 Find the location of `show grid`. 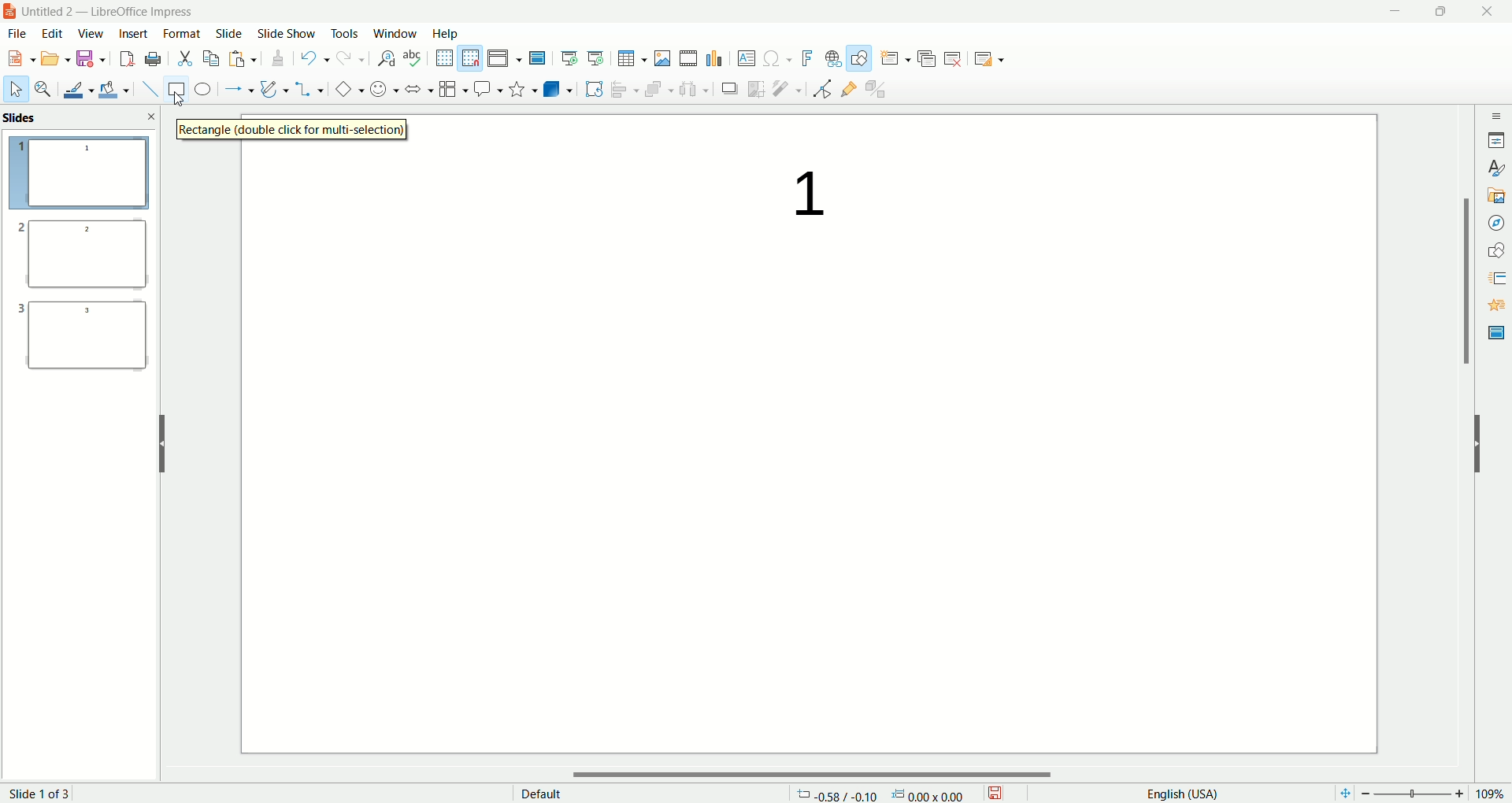

show grid is located at coordinates (443, 57).